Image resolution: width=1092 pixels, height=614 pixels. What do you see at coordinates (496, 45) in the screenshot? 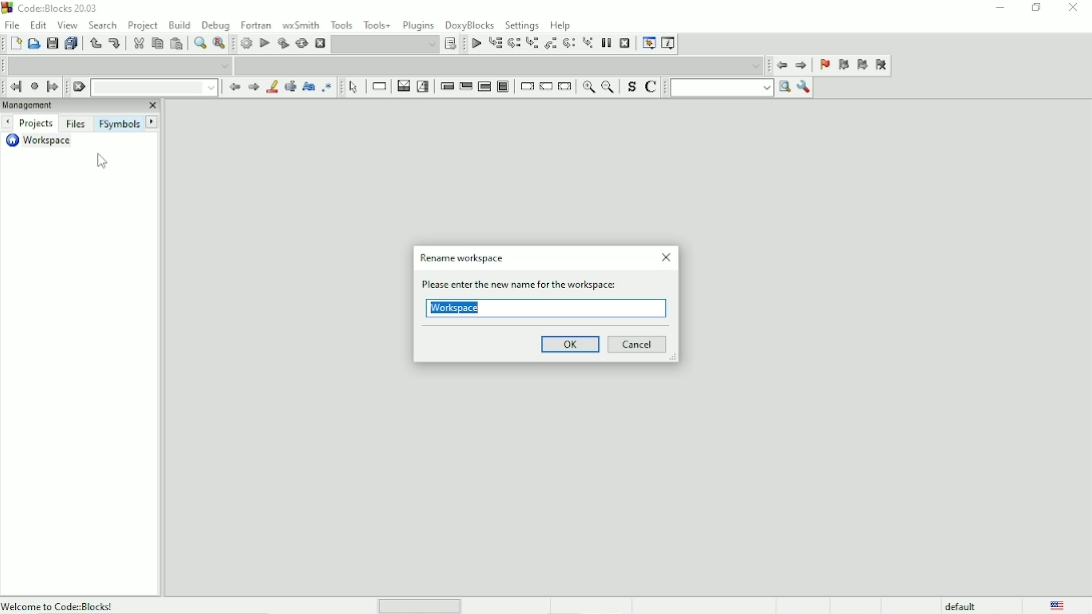
I see `Run to cursor` at bounding box center [496, 45].